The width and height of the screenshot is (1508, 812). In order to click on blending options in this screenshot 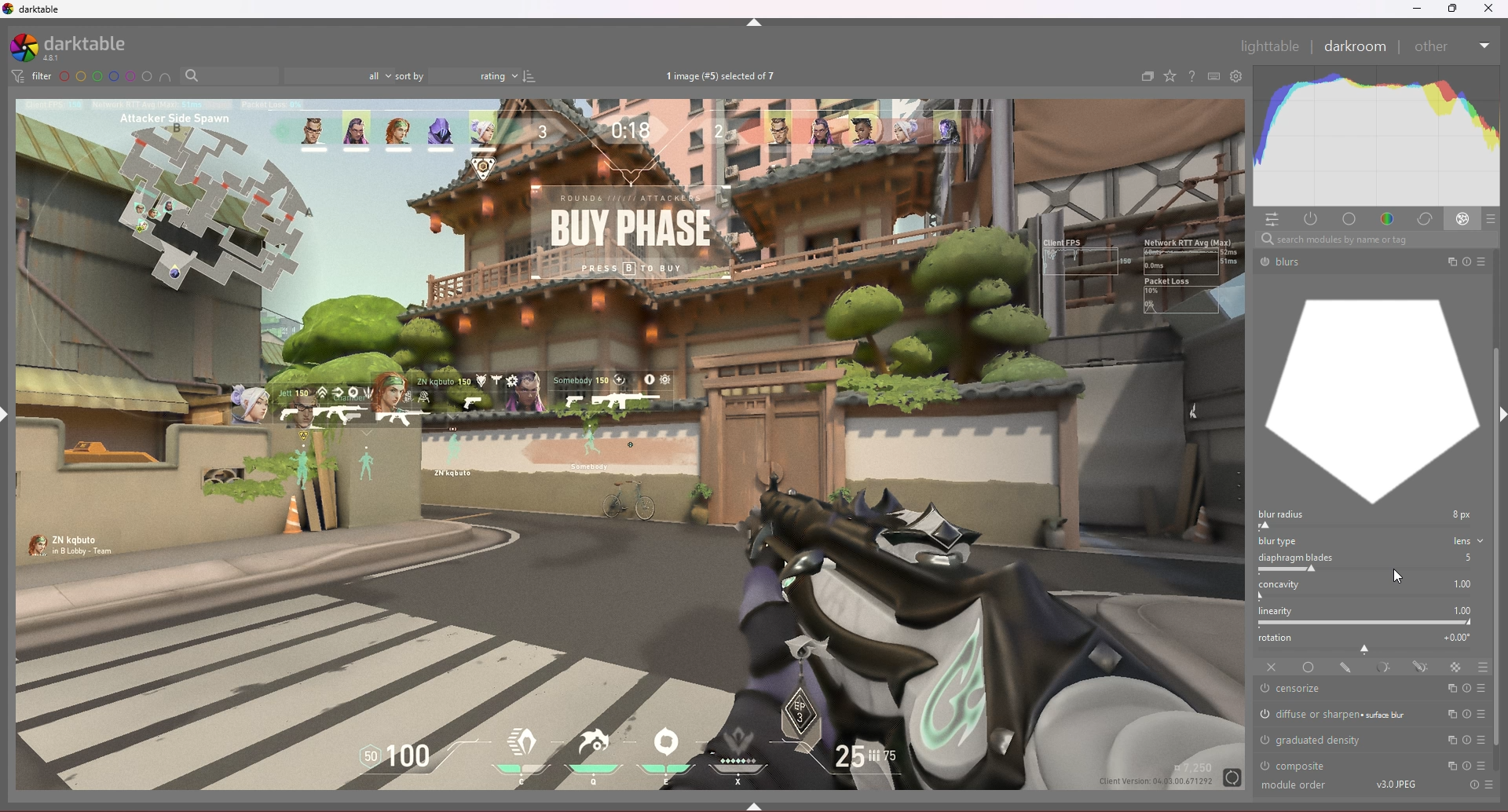, I will do `click(1483, 668)`.